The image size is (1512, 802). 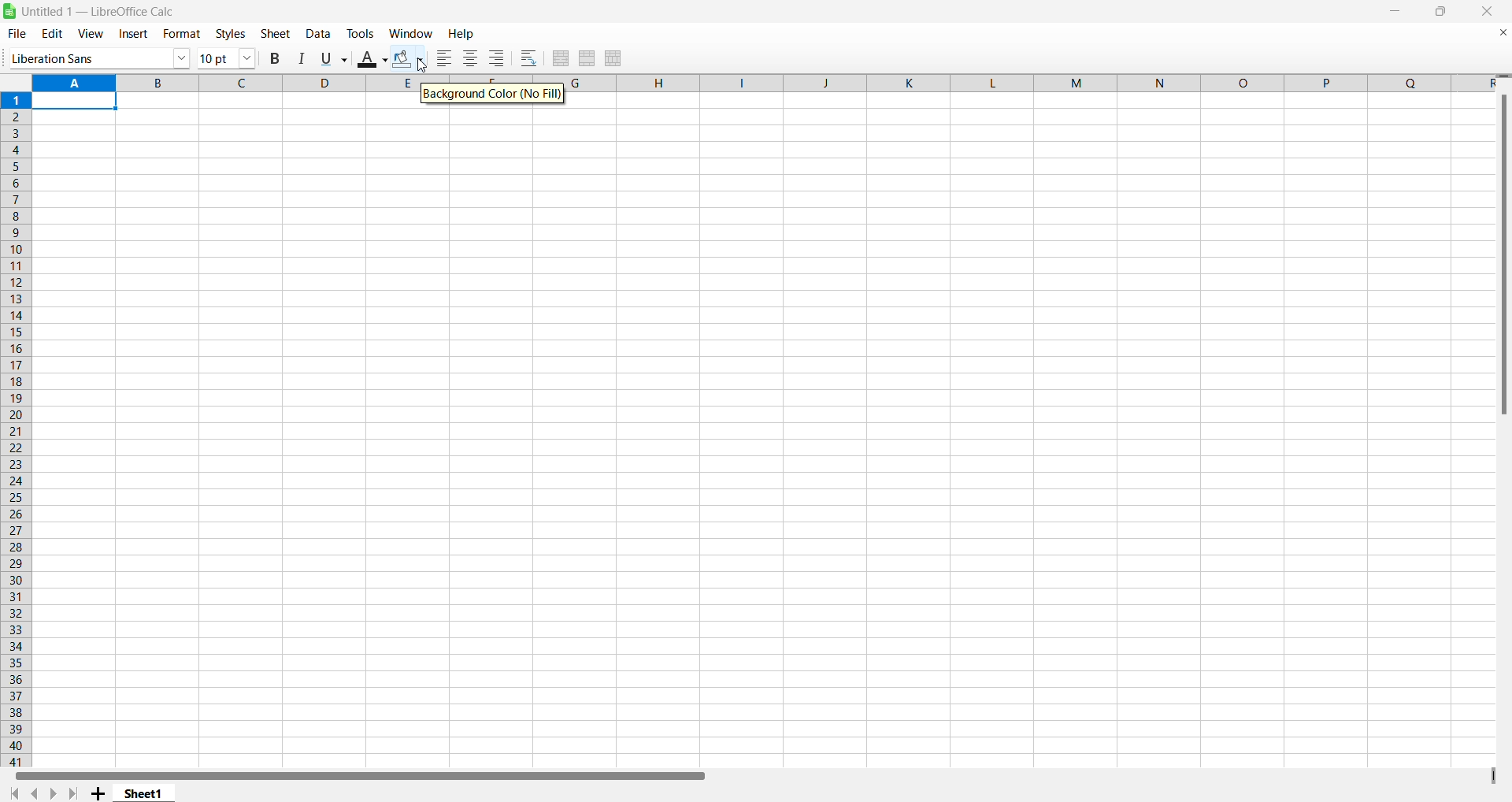 What do you see at coordinates (89, 34) in the screenshot?
I see `view` at bounding box center [89, 34].